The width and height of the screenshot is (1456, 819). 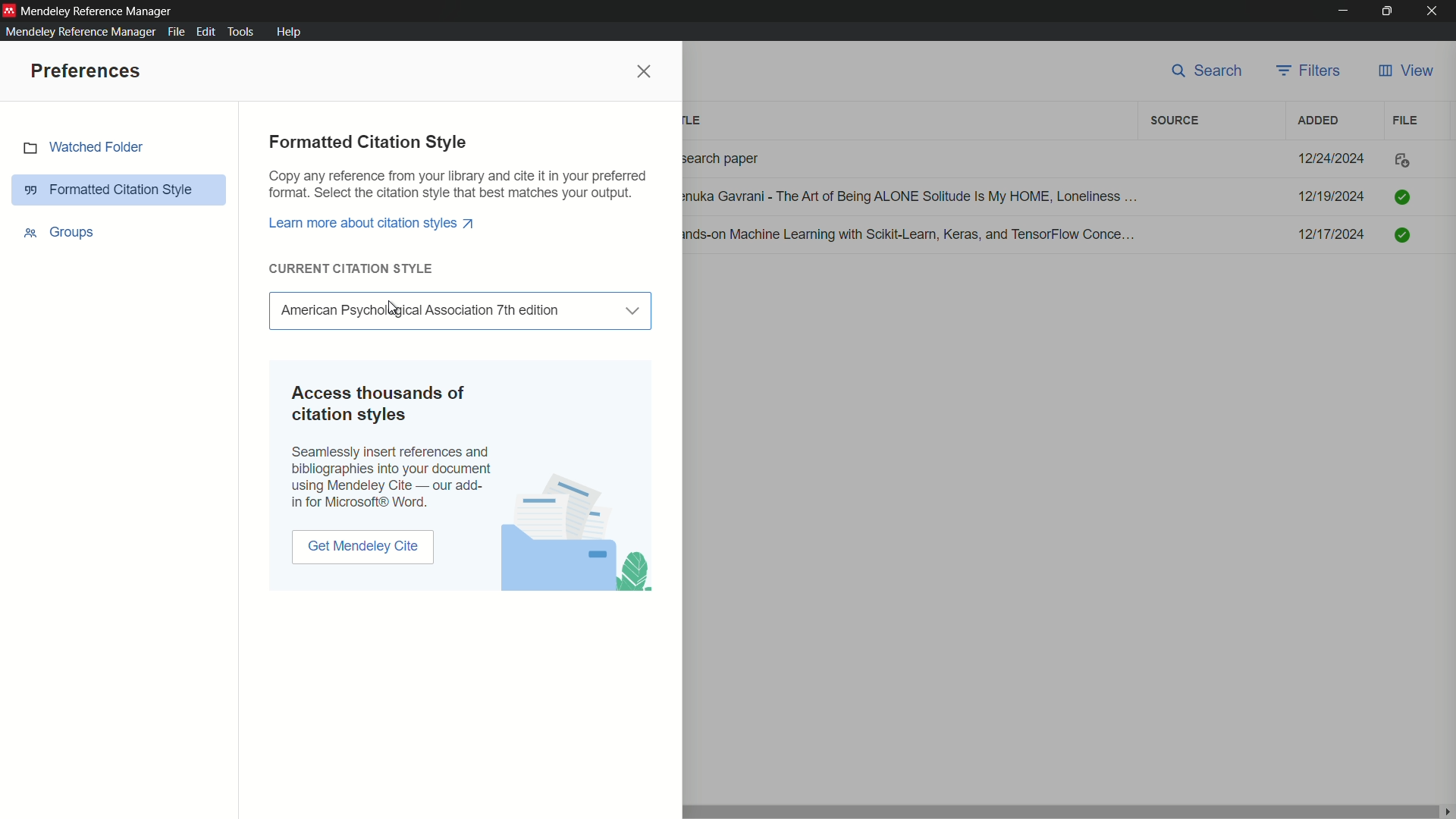 I want to click on preferences, so click(x=83, y=71).